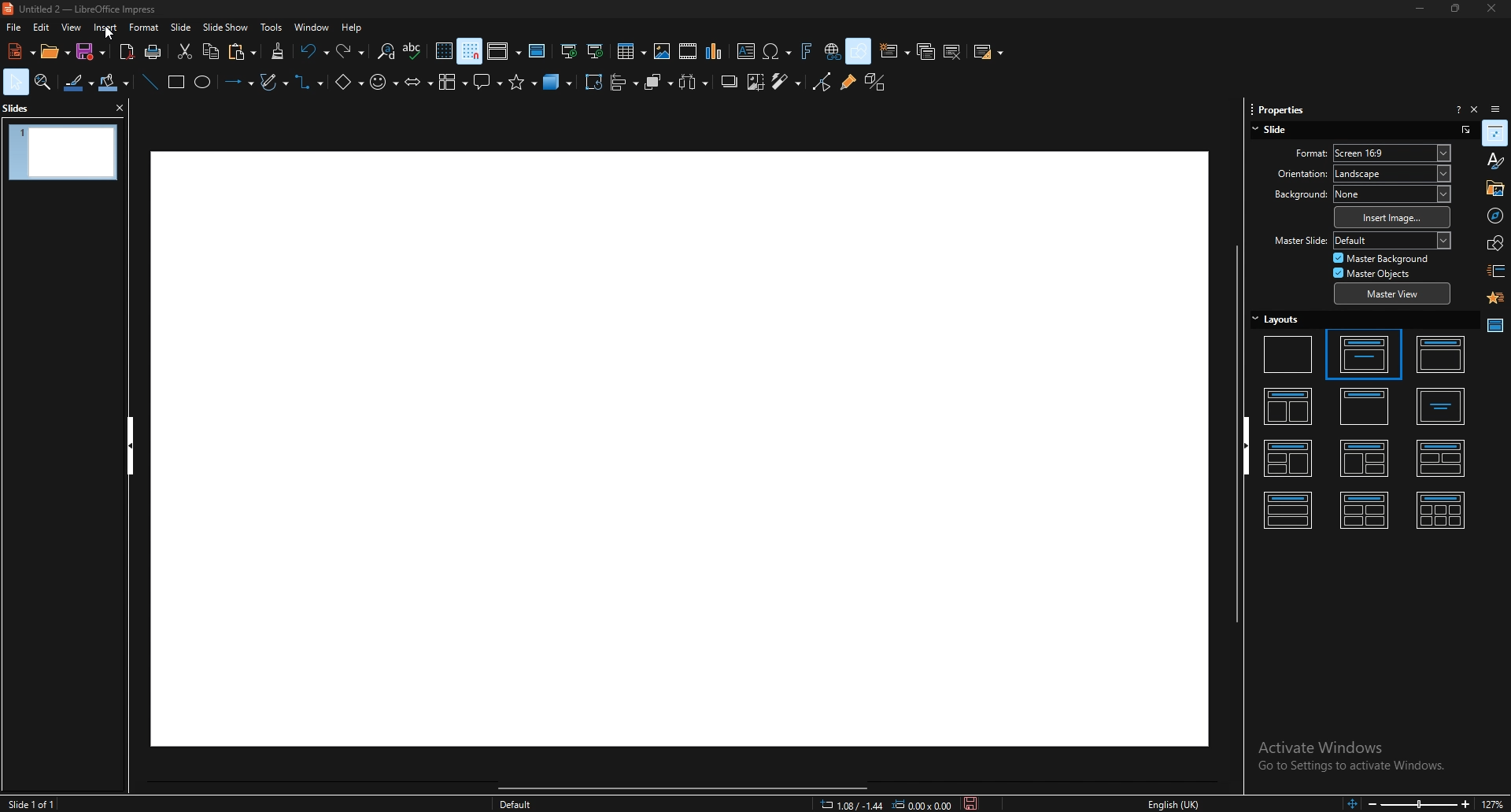 This screenshot has height=812, width=1511. What do you see at coordinates (744, 52) in the screenshot?
I see `insert text box` at bounding box center [744, 52].